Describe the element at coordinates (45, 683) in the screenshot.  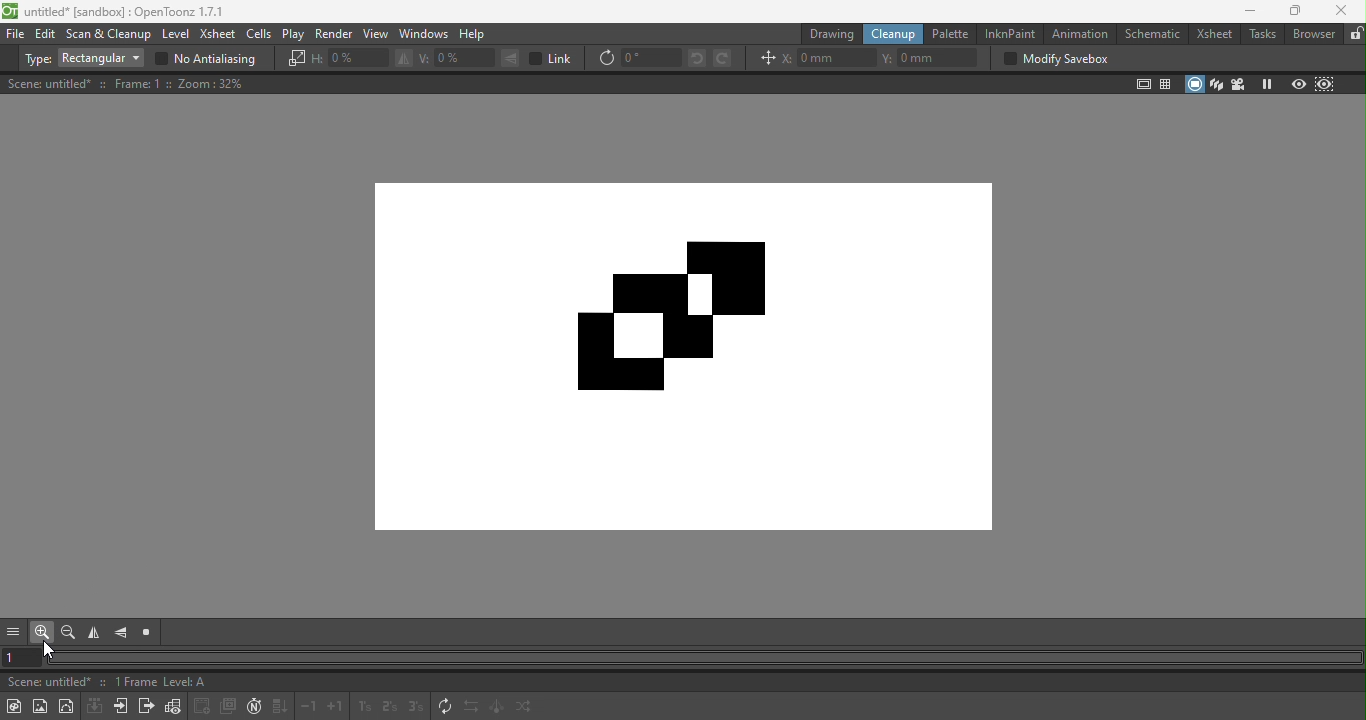
I see `File name` at that location.